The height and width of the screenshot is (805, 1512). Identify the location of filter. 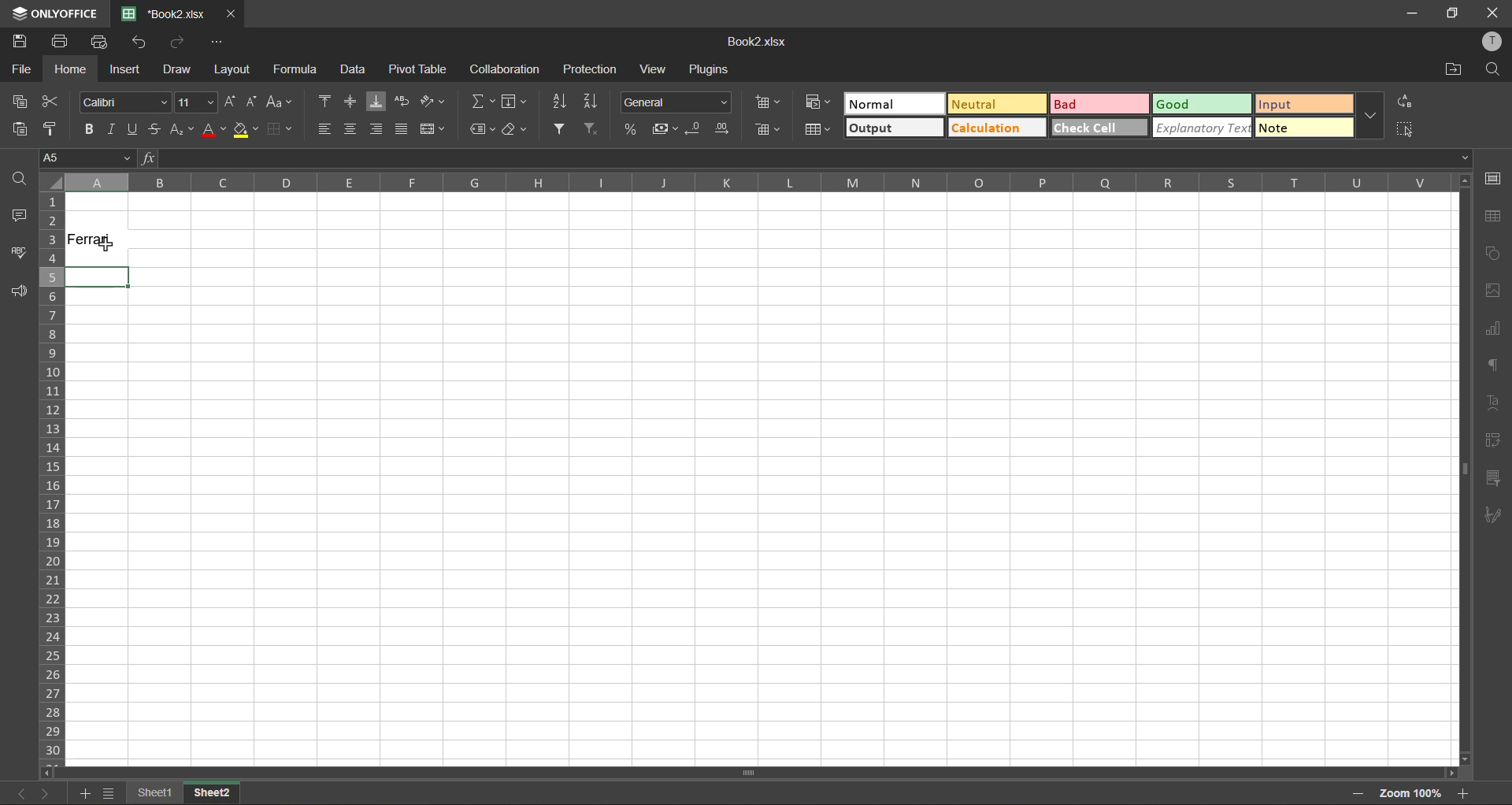
(563, 128).